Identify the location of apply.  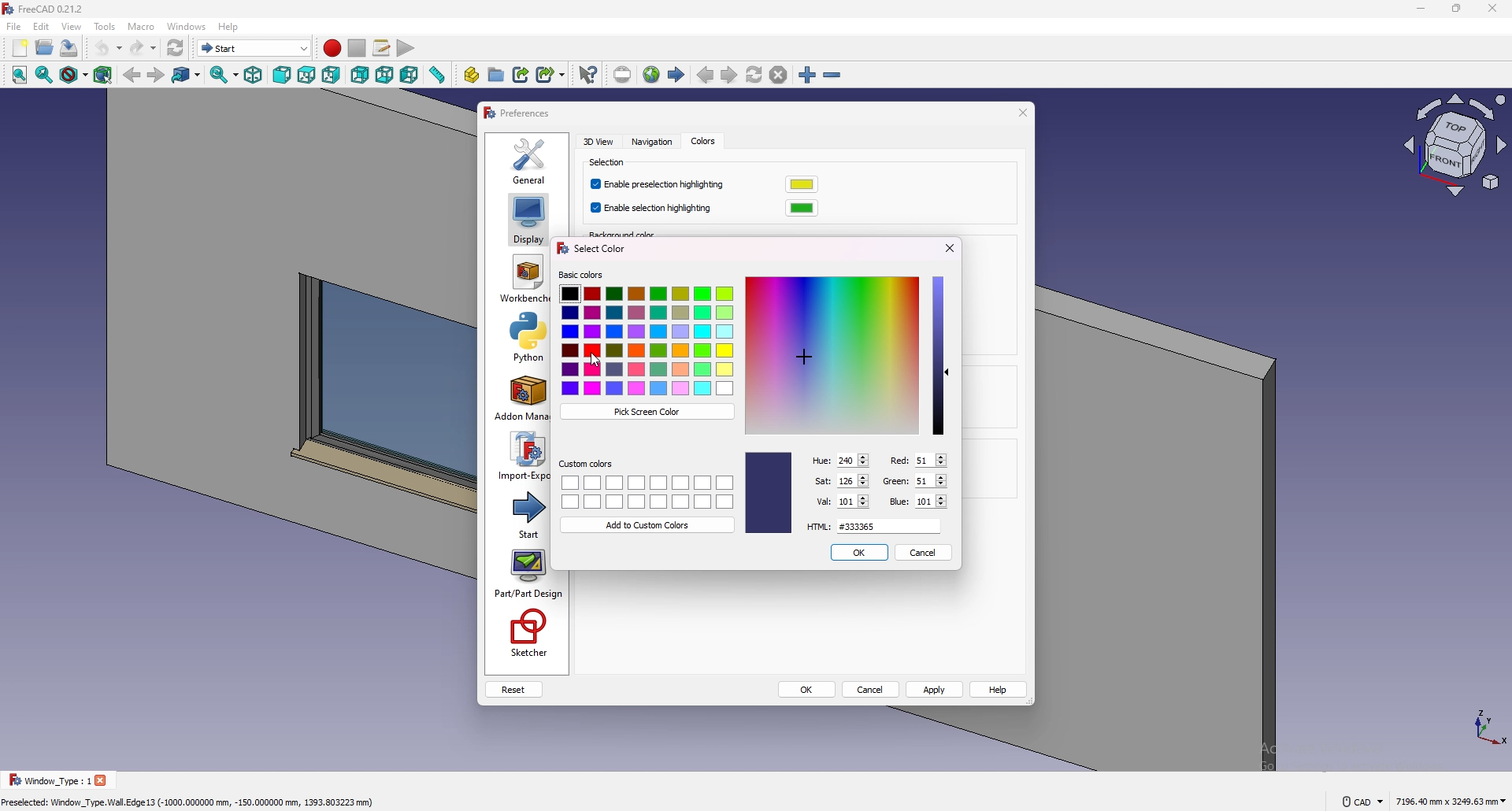
(936, 689).